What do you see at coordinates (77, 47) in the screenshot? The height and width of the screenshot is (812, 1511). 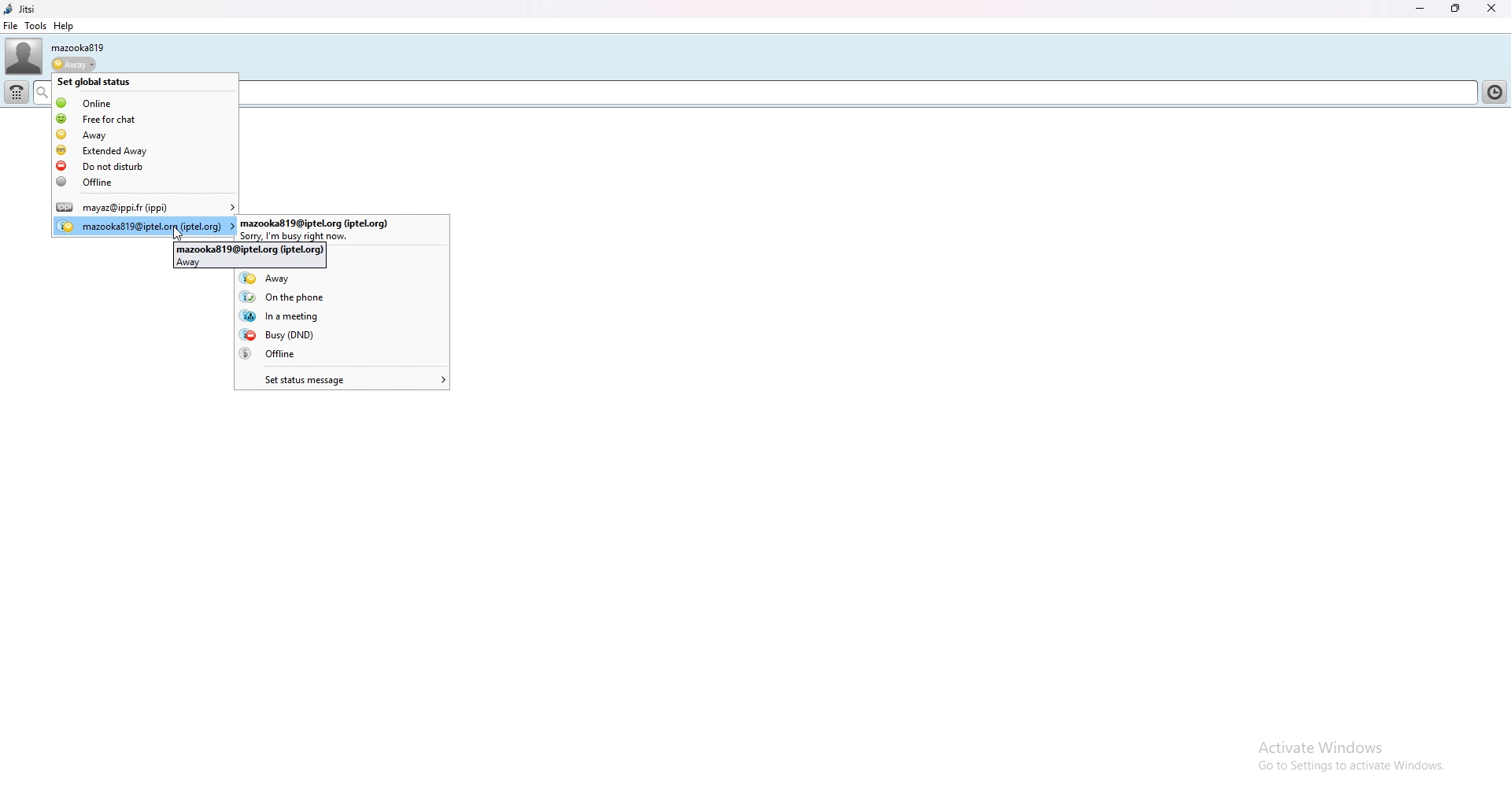 I see `username` at bounding box center [77, 47].